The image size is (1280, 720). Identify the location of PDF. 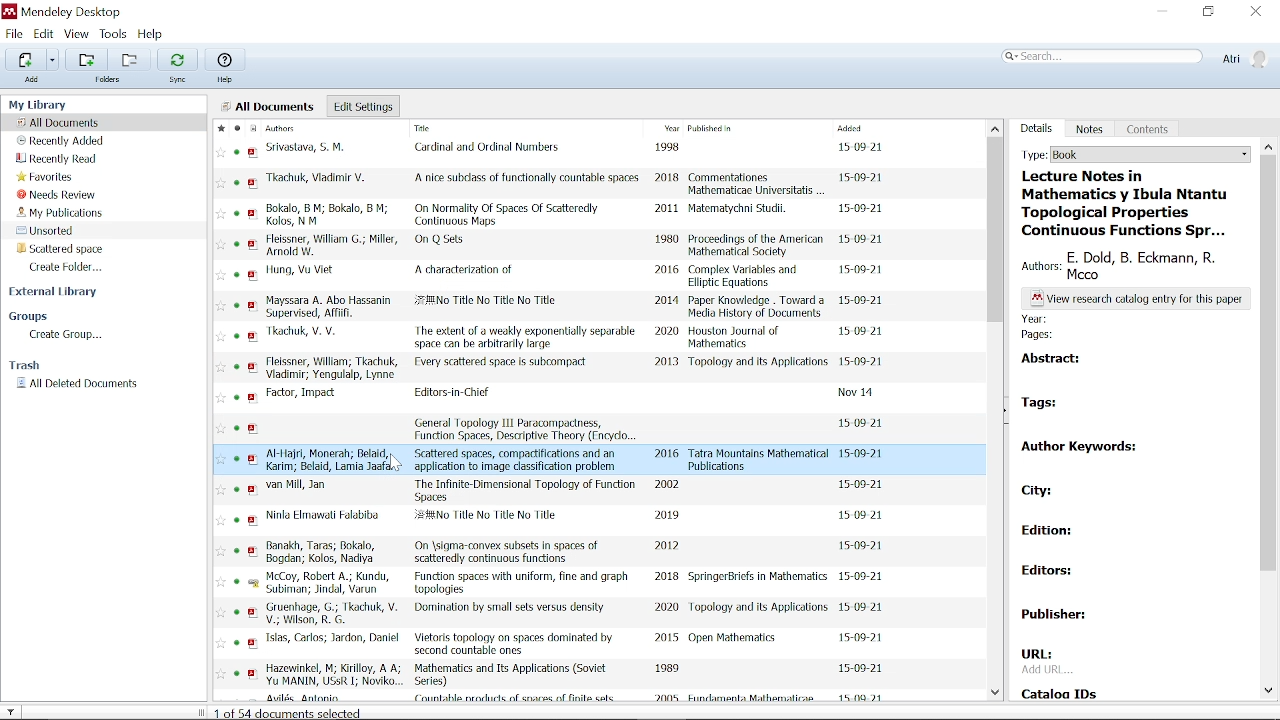
(251, 411).